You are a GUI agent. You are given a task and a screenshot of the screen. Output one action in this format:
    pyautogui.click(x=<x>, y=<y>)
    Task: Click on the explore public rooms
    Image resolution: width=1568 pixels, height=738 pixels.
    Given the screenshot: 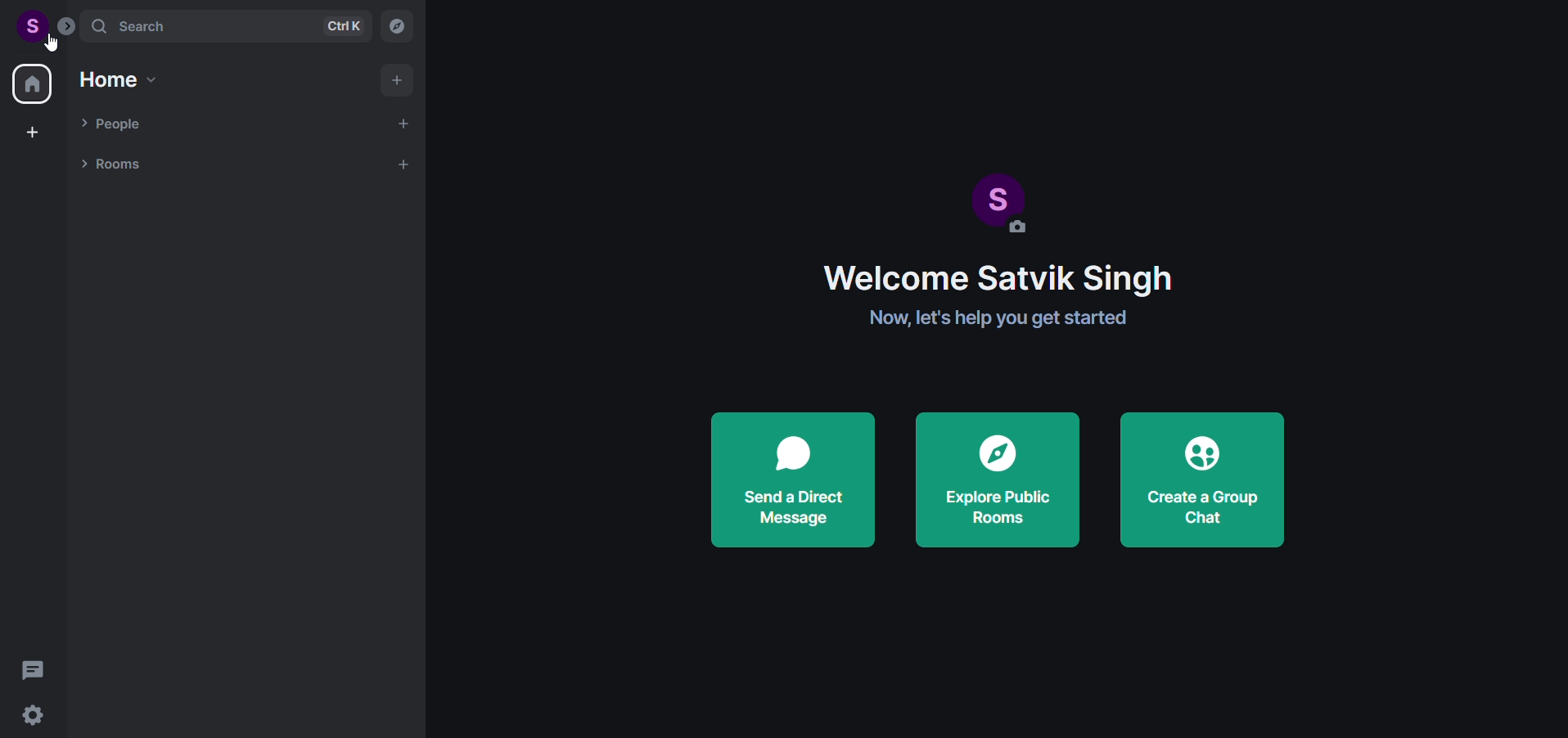 What is the action you would take?
    pyautogui.click(x=999, y=480)
    